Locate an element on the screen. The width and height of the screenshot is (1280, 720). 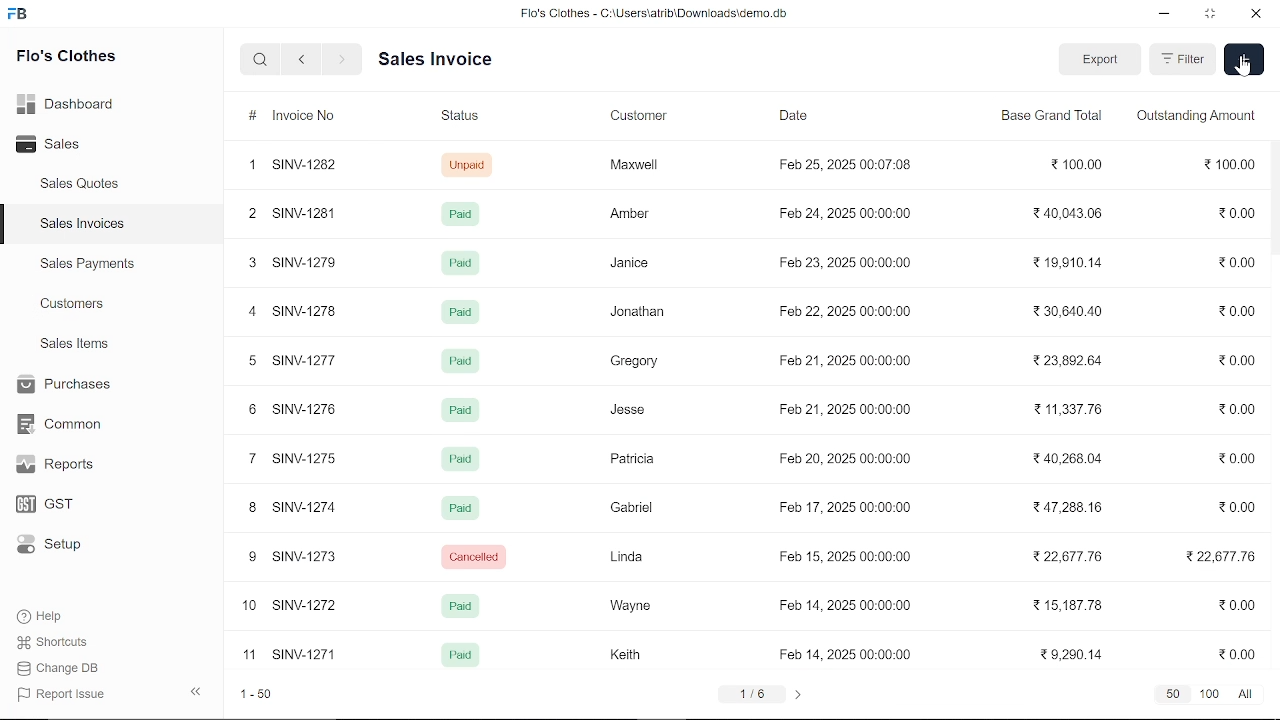
hide is located at coordinates (197, 689).